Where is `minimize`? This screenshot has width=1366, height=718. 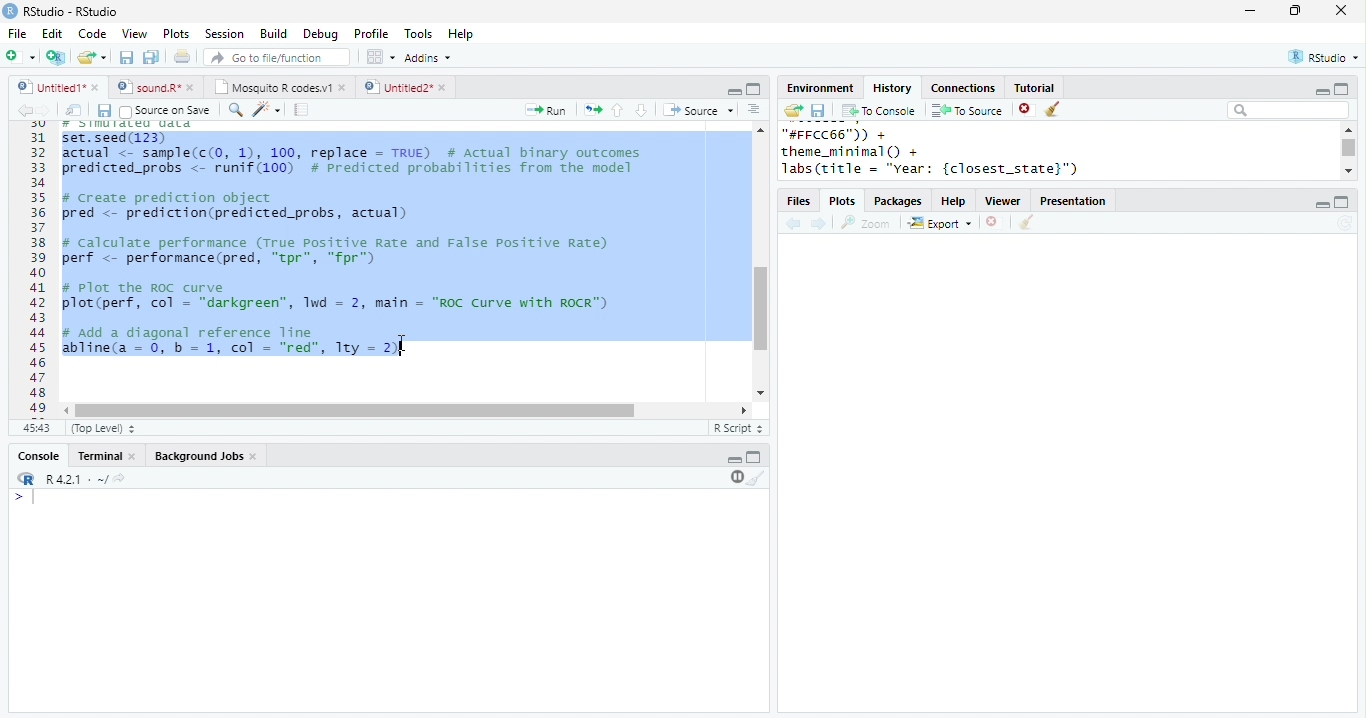 minimize is located at coordinates (1321, 92).